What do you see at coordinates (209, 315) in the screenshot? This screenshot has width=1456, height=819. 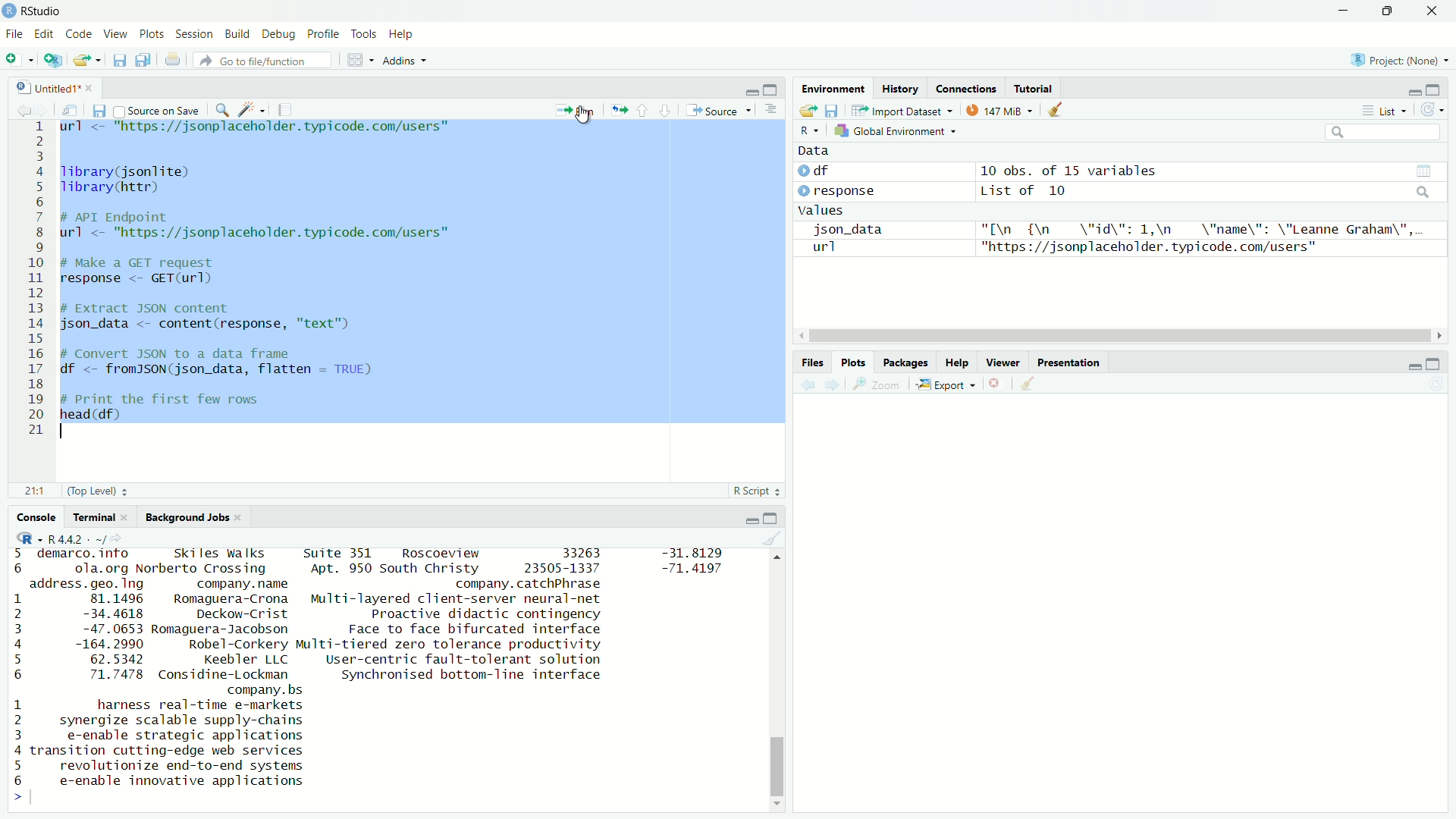 I see `# Extract JSON content
json_data <- content(response, "text")` at bounding box center [209, 315].